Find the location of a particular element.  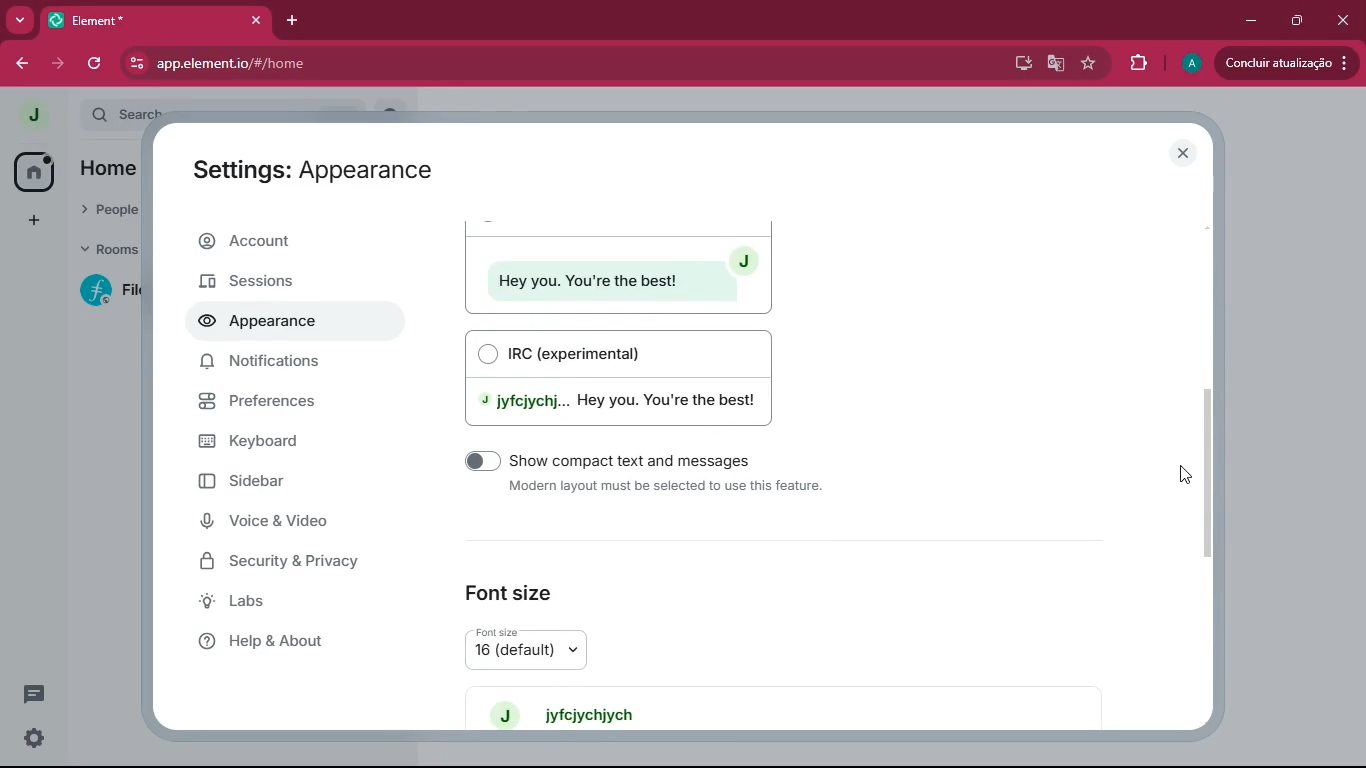

back is located at coordinates (23, 65).